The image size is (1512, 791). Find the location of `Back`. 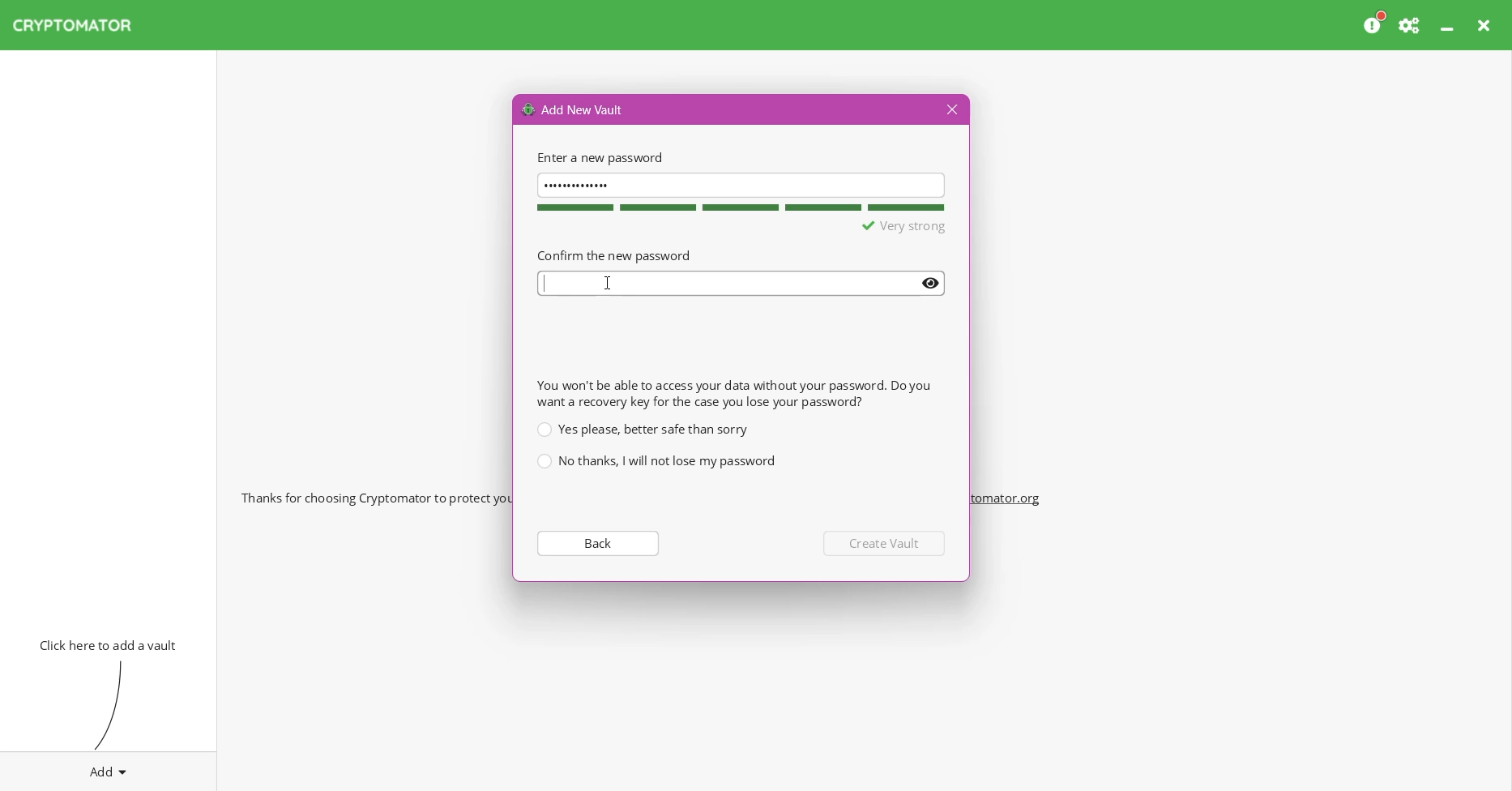

Back is located at coordinates (596, 542).